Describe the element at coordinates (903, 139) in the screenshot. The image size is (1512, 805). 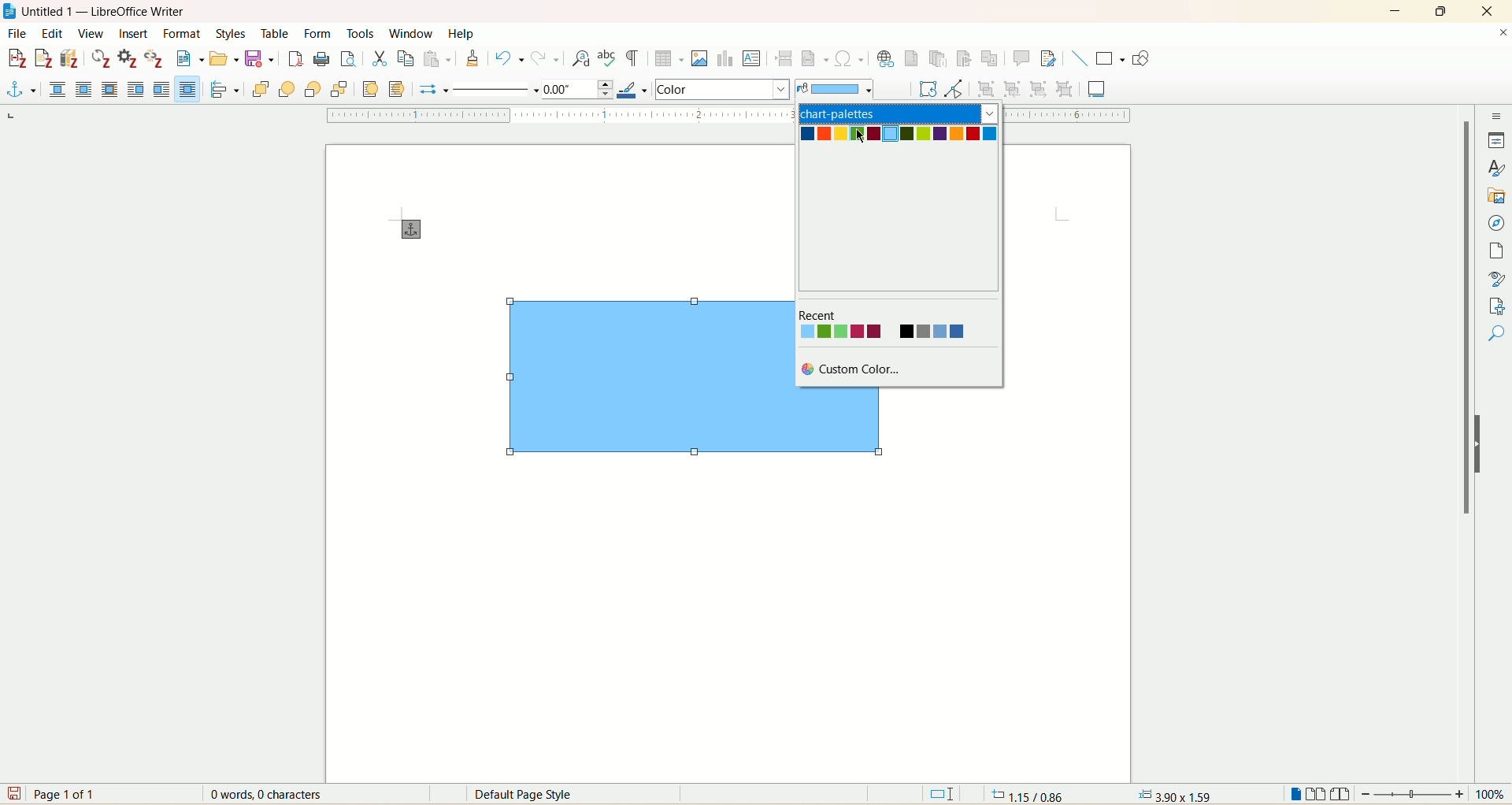
I see `color palate` at that location.